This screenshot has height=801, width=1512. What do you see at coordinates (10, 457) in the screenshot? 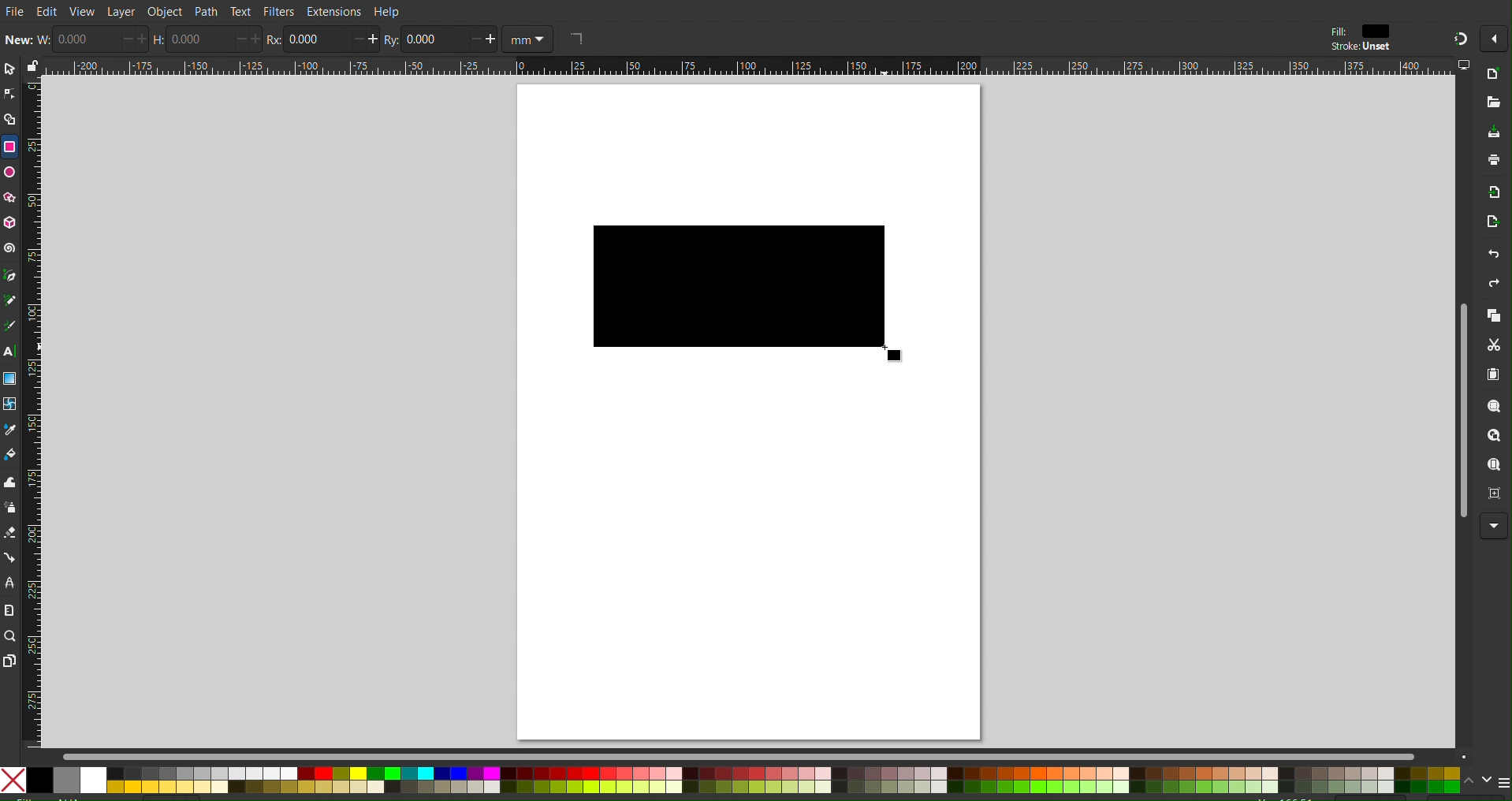
I see `Fill Color` at bounding box center [10, 457].